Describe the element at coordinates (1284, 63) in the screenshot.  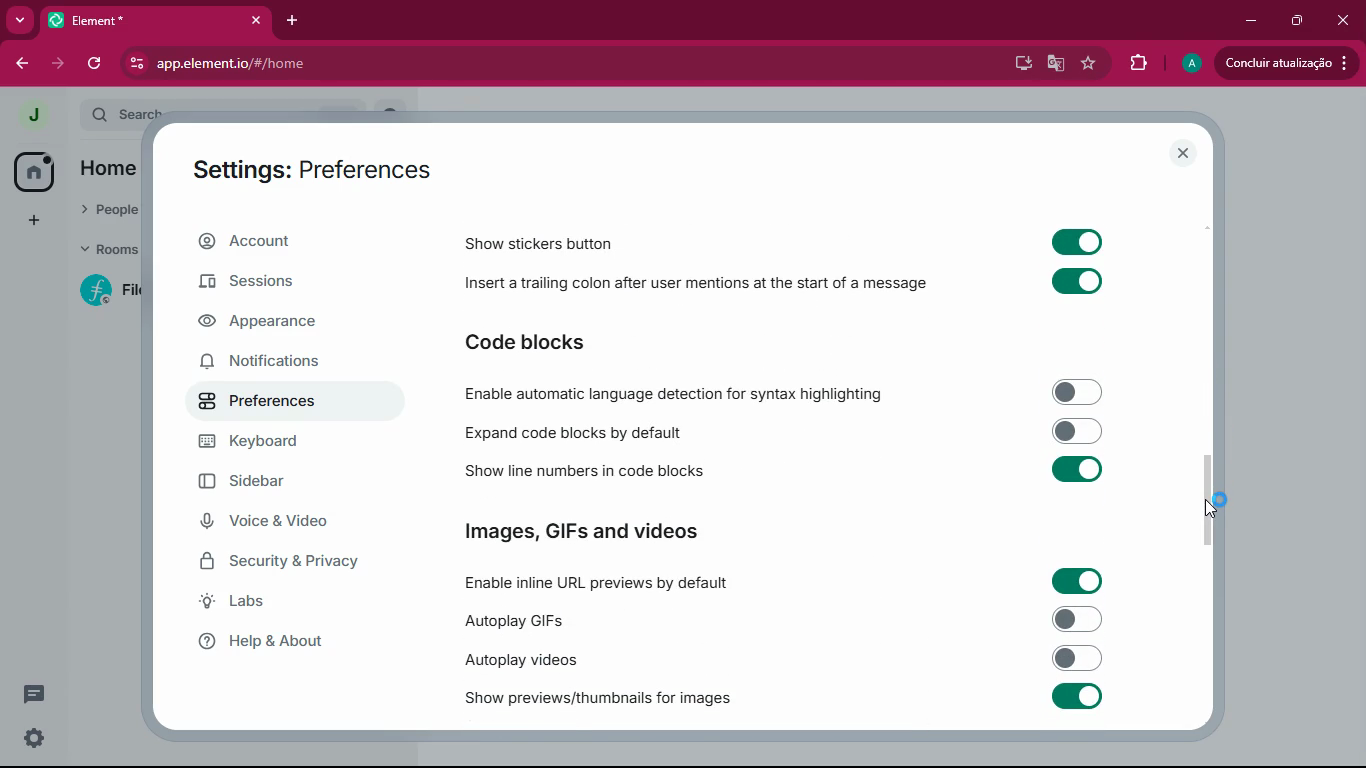
I see `Conduir atualizacado` at that location.